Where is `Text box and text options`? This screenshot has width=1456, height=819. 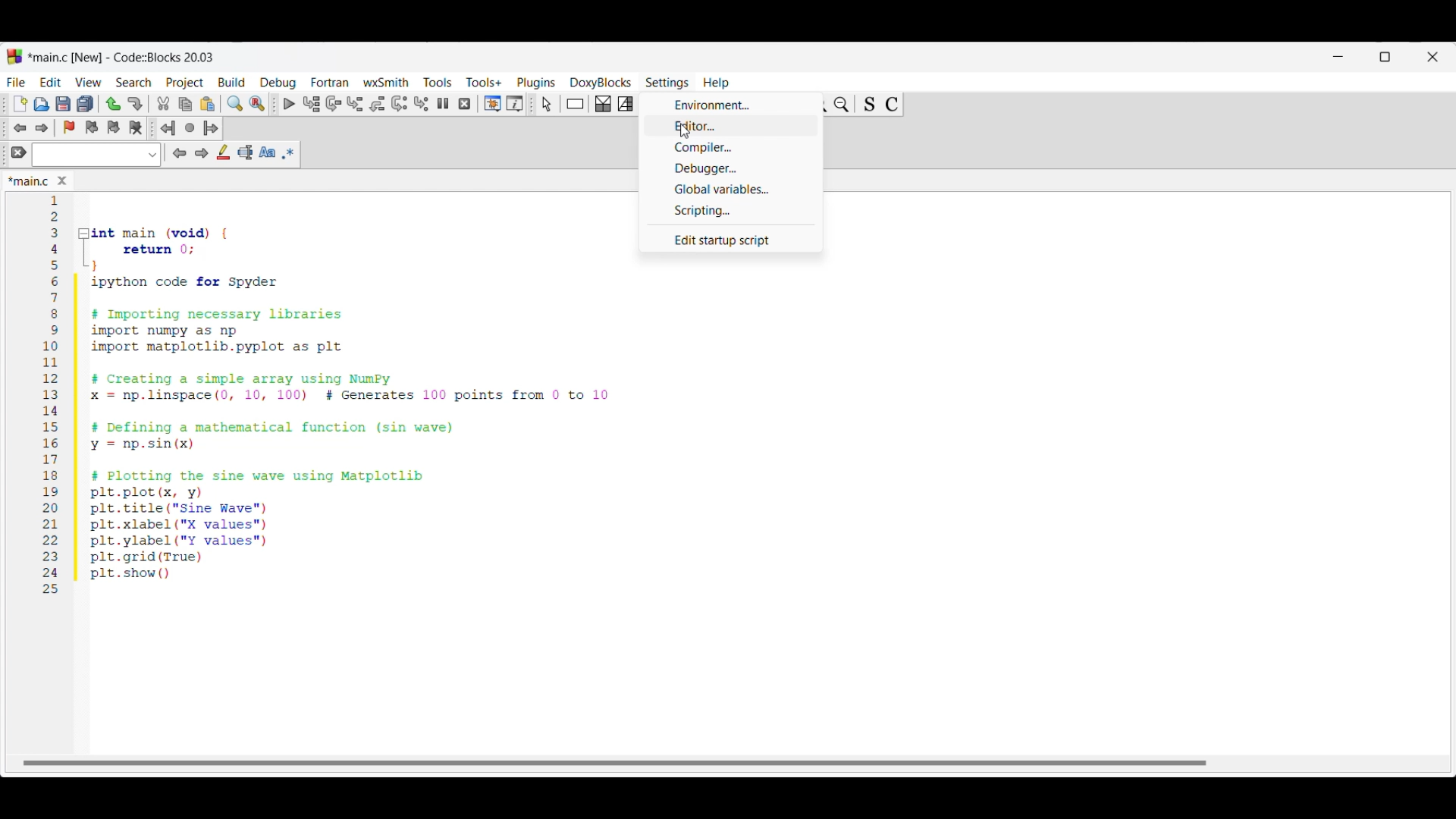
Text box and text options is located at coordinates (96, 155).